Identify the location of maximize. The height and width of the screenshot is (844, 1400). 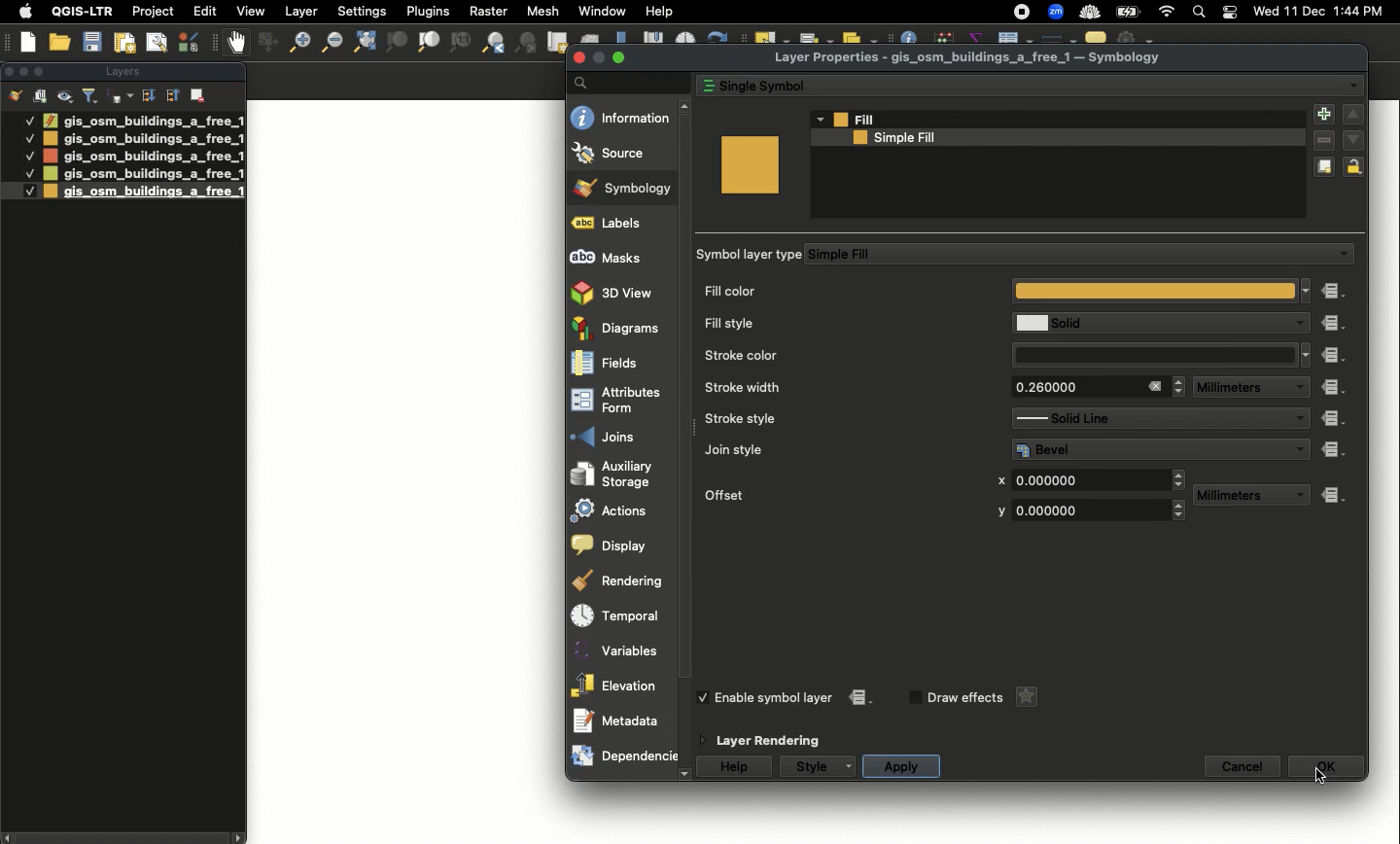
(619, 56).